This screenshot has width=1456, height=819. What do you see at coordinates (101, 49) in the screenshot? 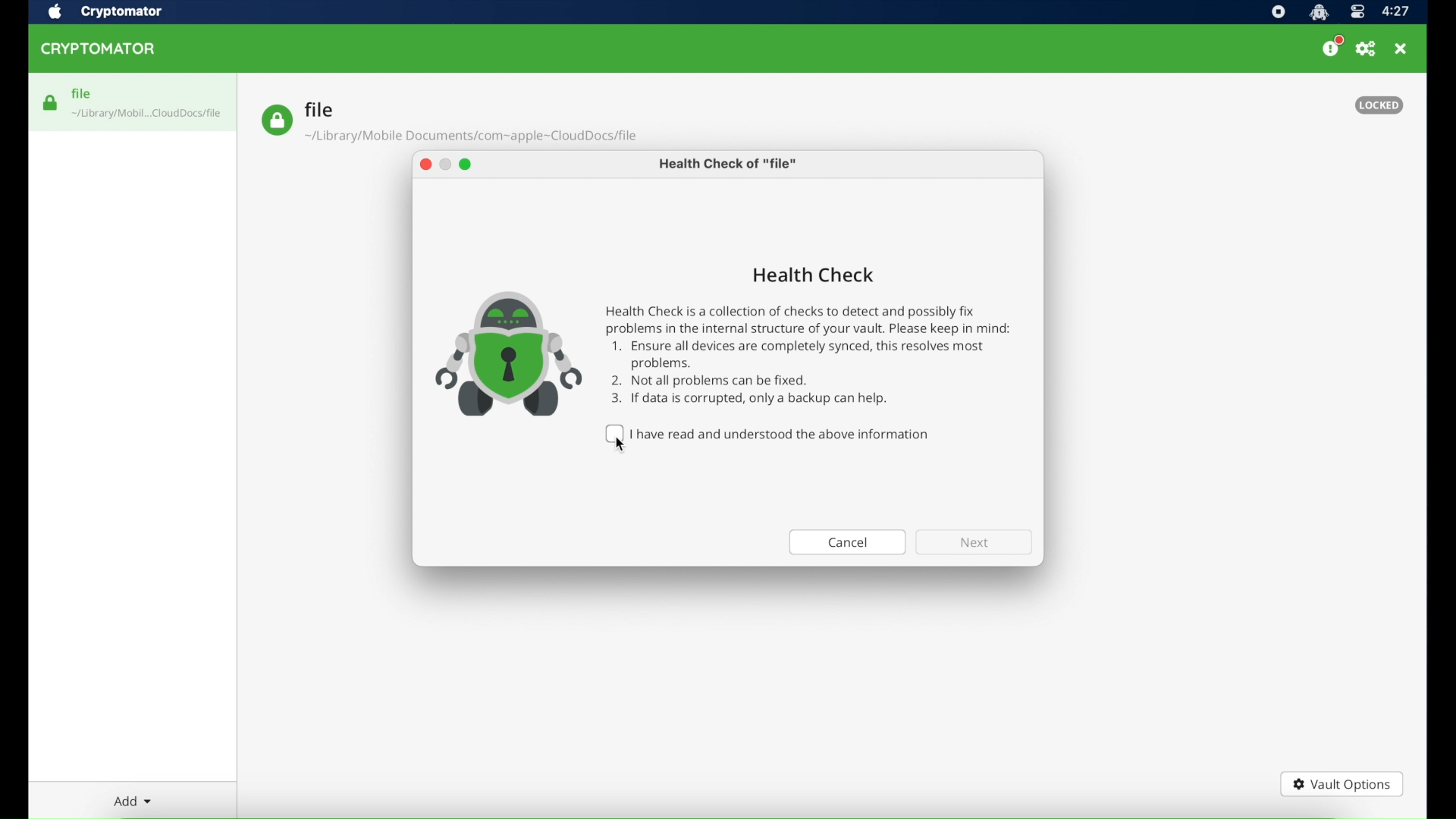
I see `cryptomator` at bounding box center [101, 49].